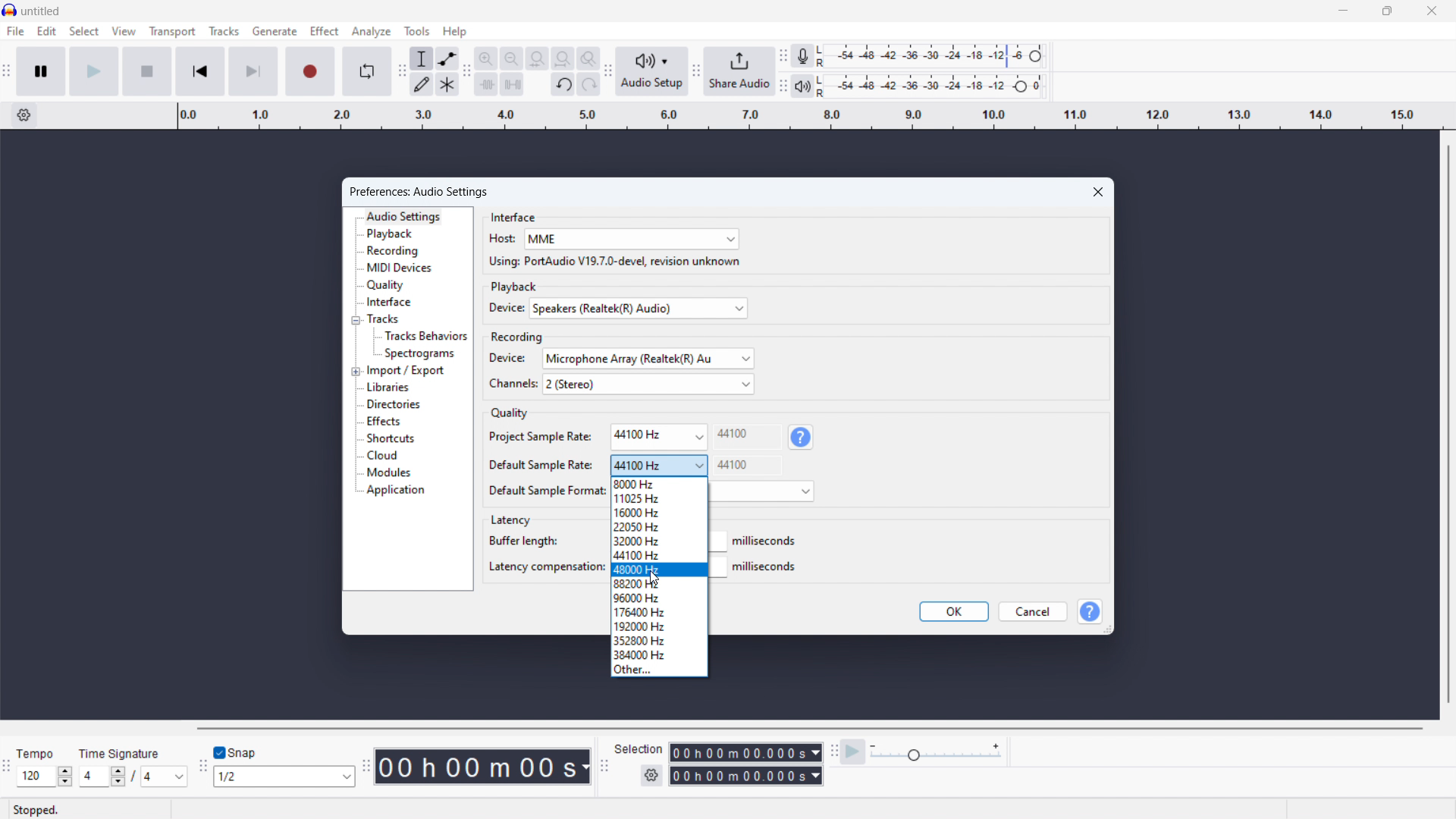  What do you see at coordinates (324, 30) in the screenshot?
I see `effect` at bounding box center [324, 30].